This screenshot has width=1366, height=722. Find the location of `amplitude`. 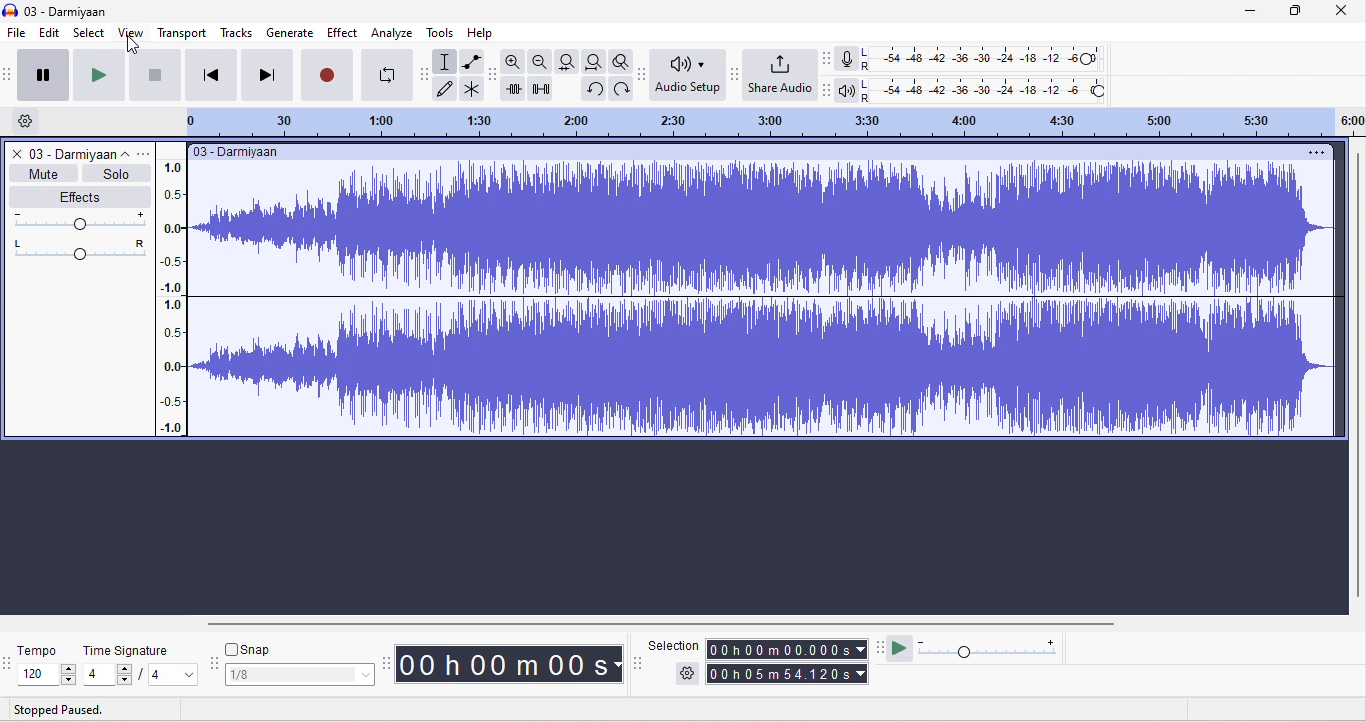

amplitude is located at coordinates (175, 296).